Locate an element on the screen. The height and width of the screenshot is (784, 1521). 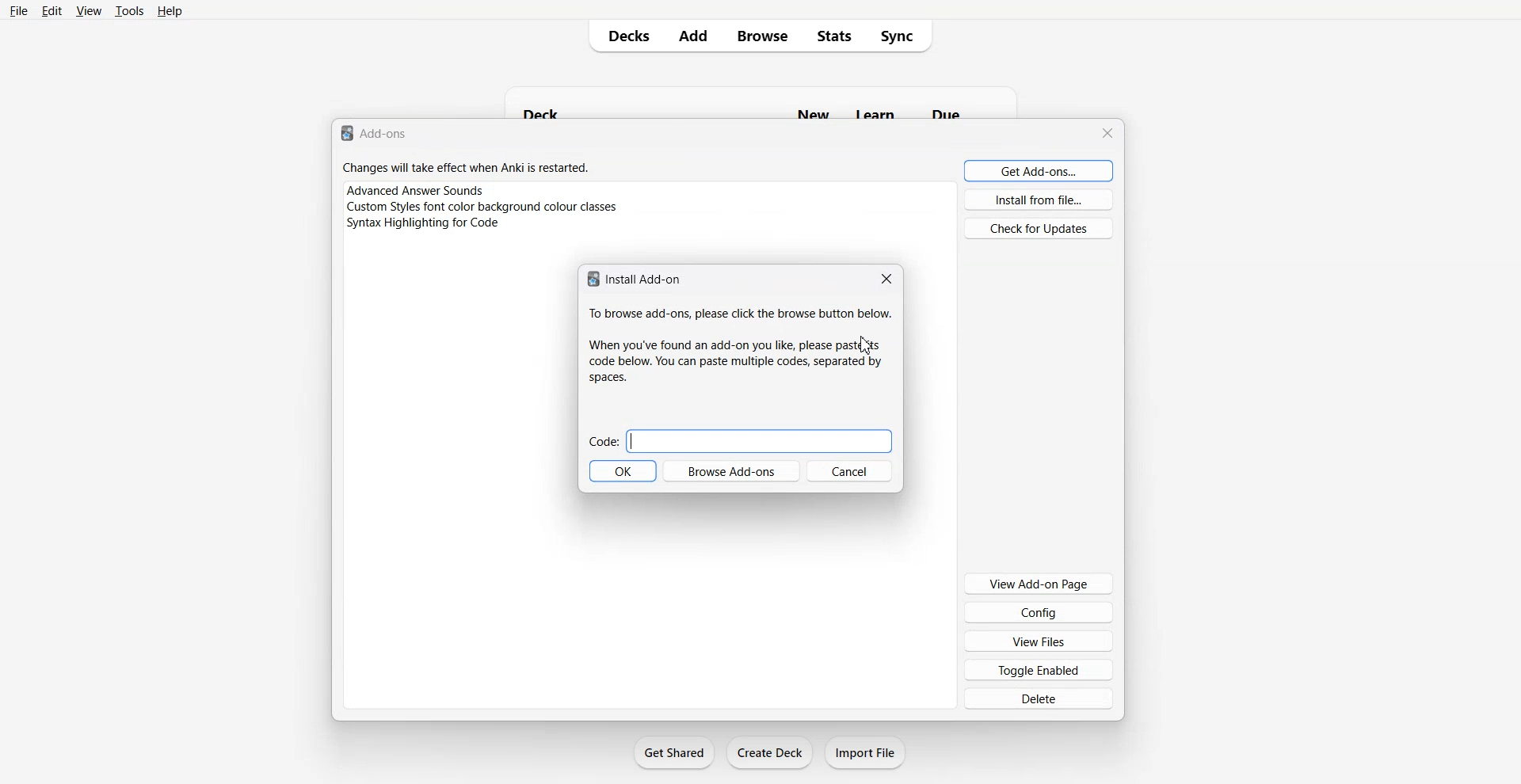
Cancel is located at coordinates (850, 470).